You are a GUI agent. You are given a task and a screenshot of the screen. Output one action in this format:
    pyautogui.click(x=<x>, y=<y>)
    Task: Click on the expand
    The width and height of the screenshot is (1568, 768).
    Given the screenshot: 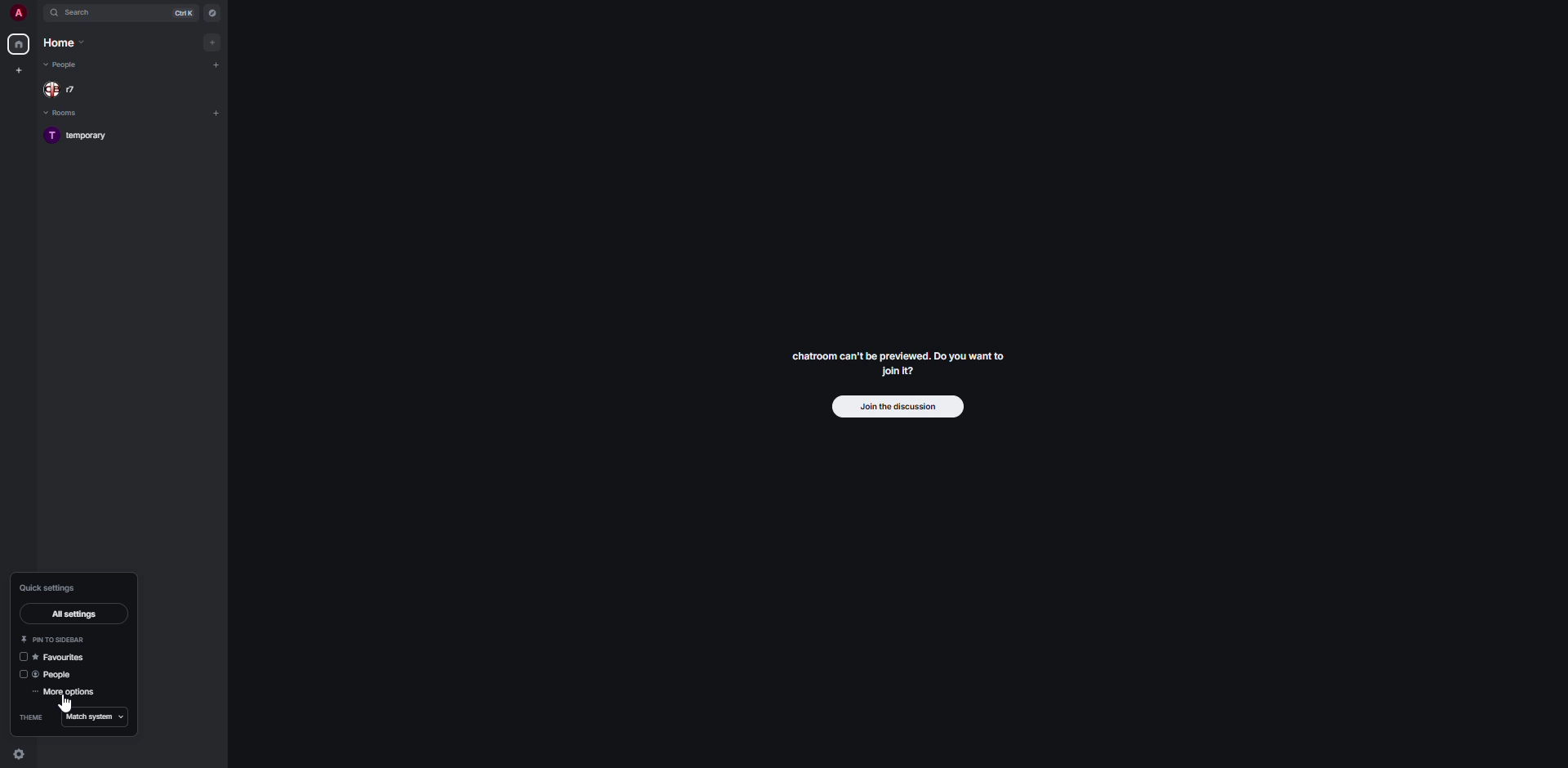 What is the action you would take?
    pyautogui.click(x=37, y=12)
    